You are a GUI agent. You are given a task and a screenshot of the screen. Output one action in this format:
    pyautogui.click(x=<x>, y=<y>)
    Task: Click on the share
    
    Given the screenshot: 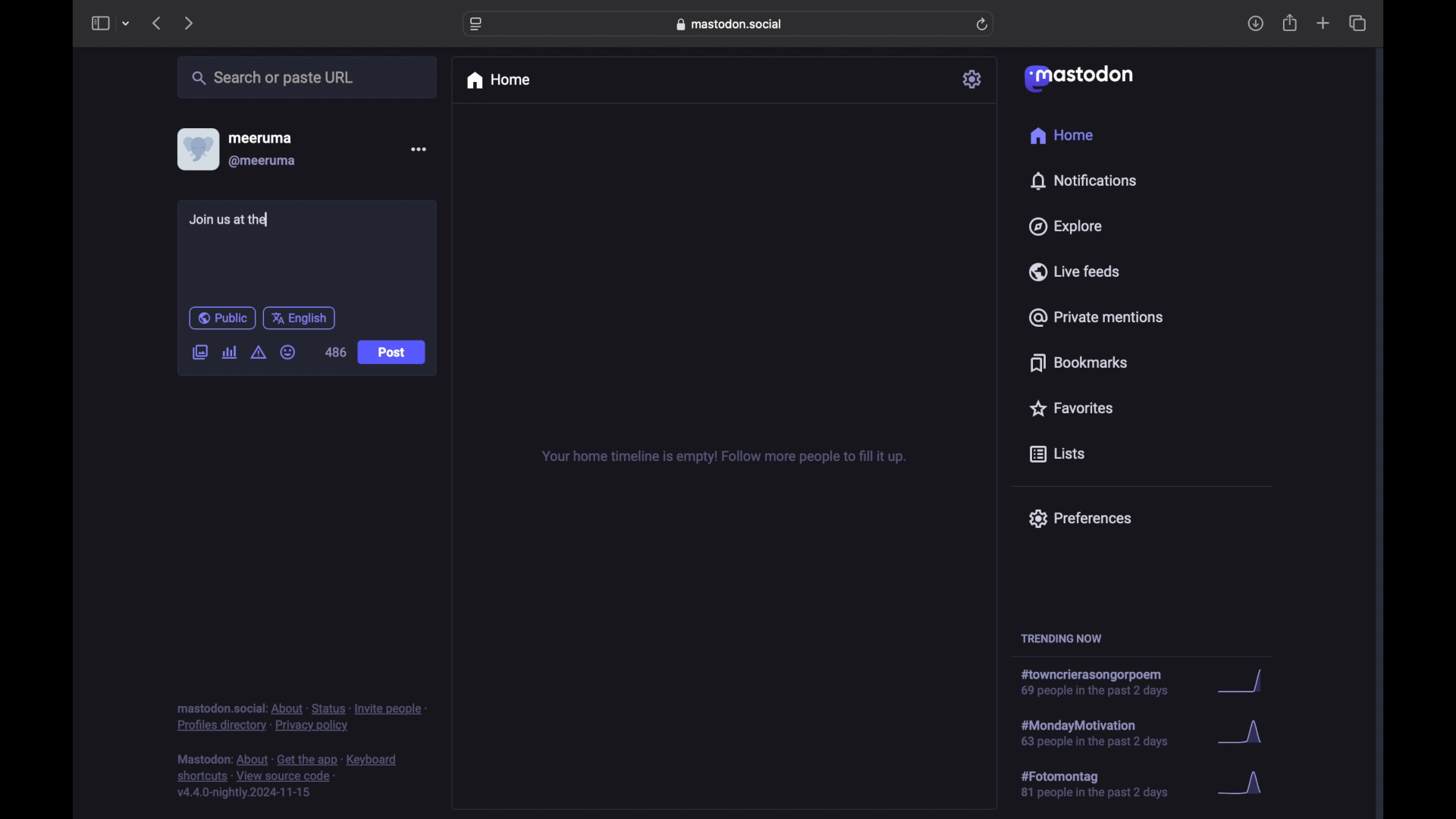 What is the action you would take?
    pyautogui.click(x=1291, y=24)
    